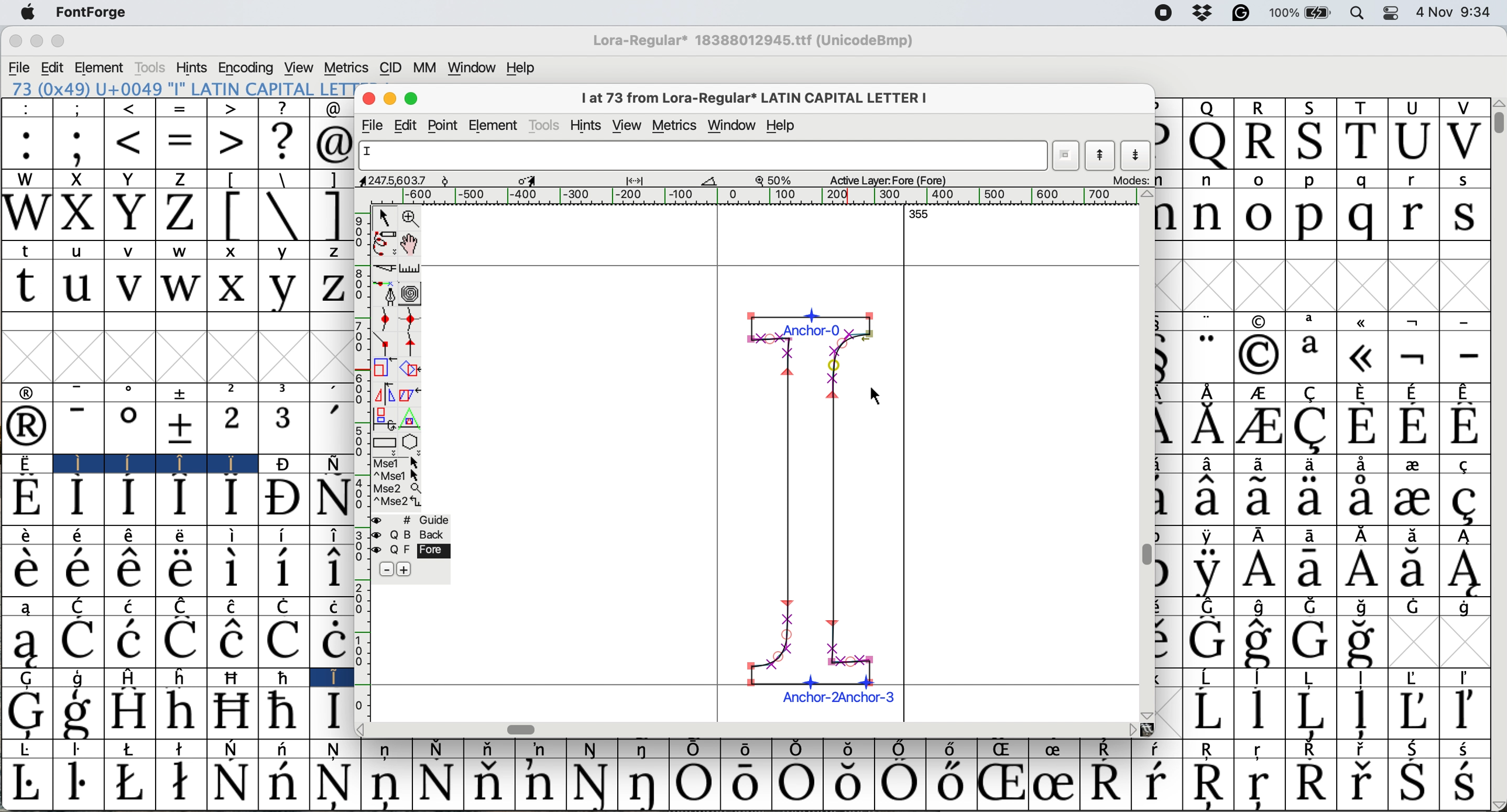 The image size is (1507, 812). Describe the element at coordinates (1309, 783) in the screenshot. I see `Symbol` at that location.